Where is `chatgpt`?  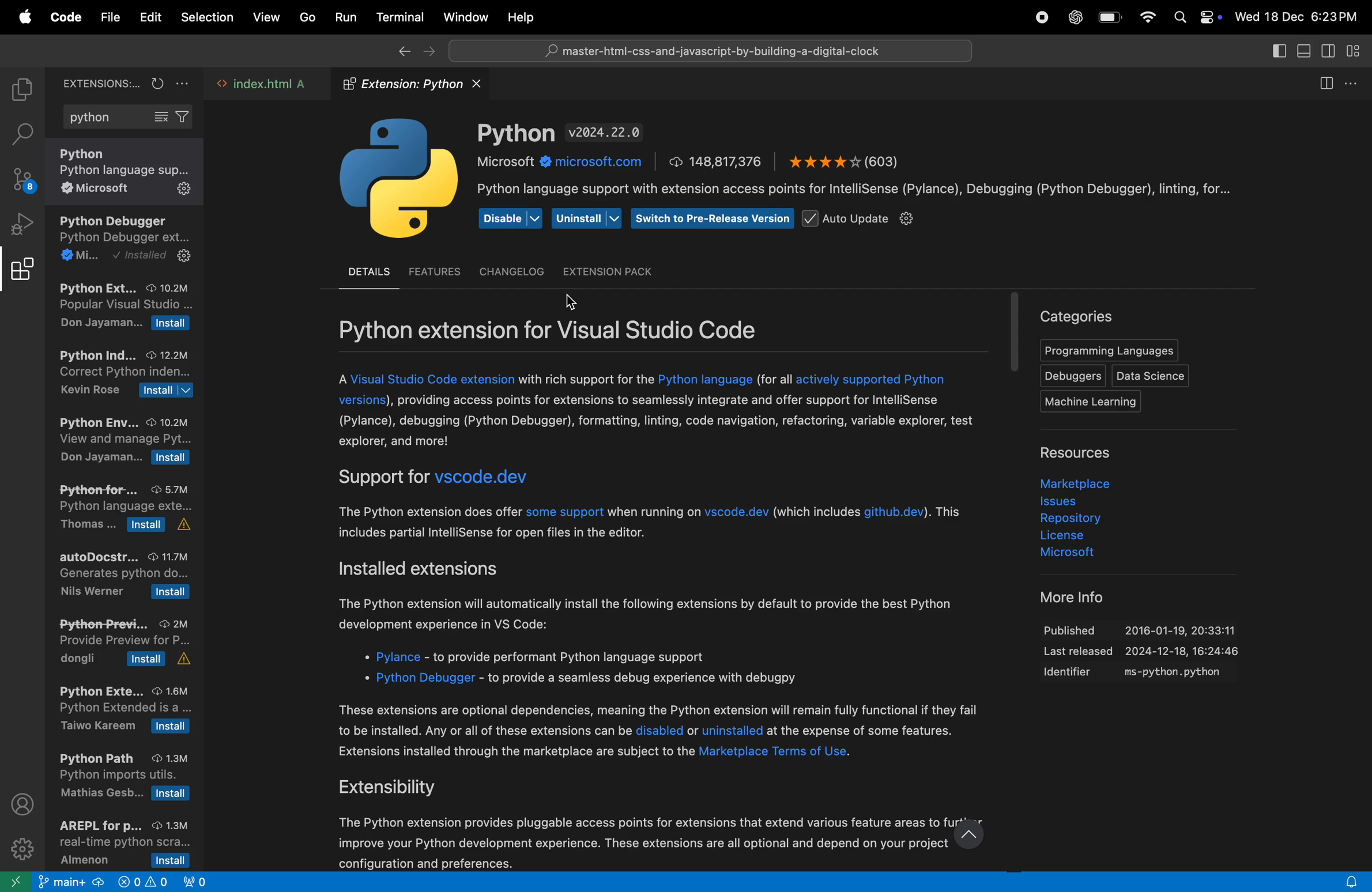 chatgpt is located at coordinates (1073, 17).